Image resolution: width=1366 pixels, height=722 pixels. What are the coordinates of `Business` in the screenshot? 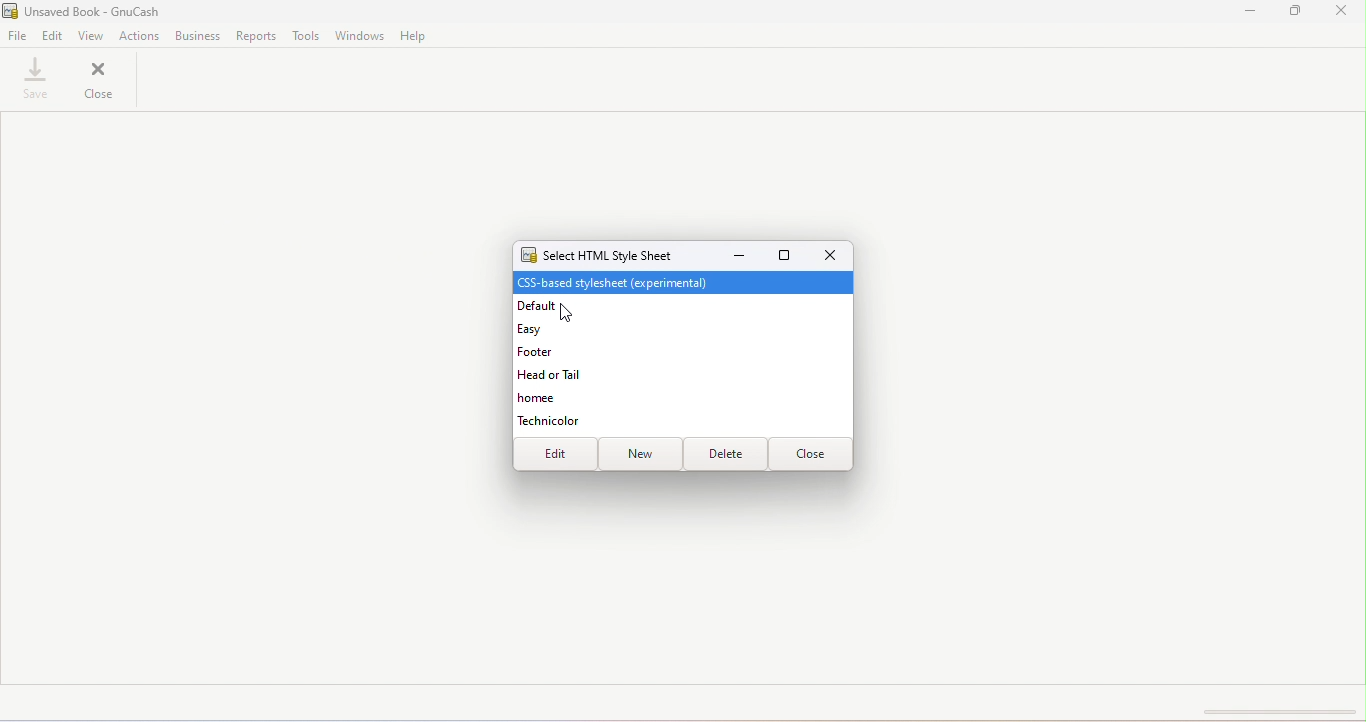 It's located at (195, 37).